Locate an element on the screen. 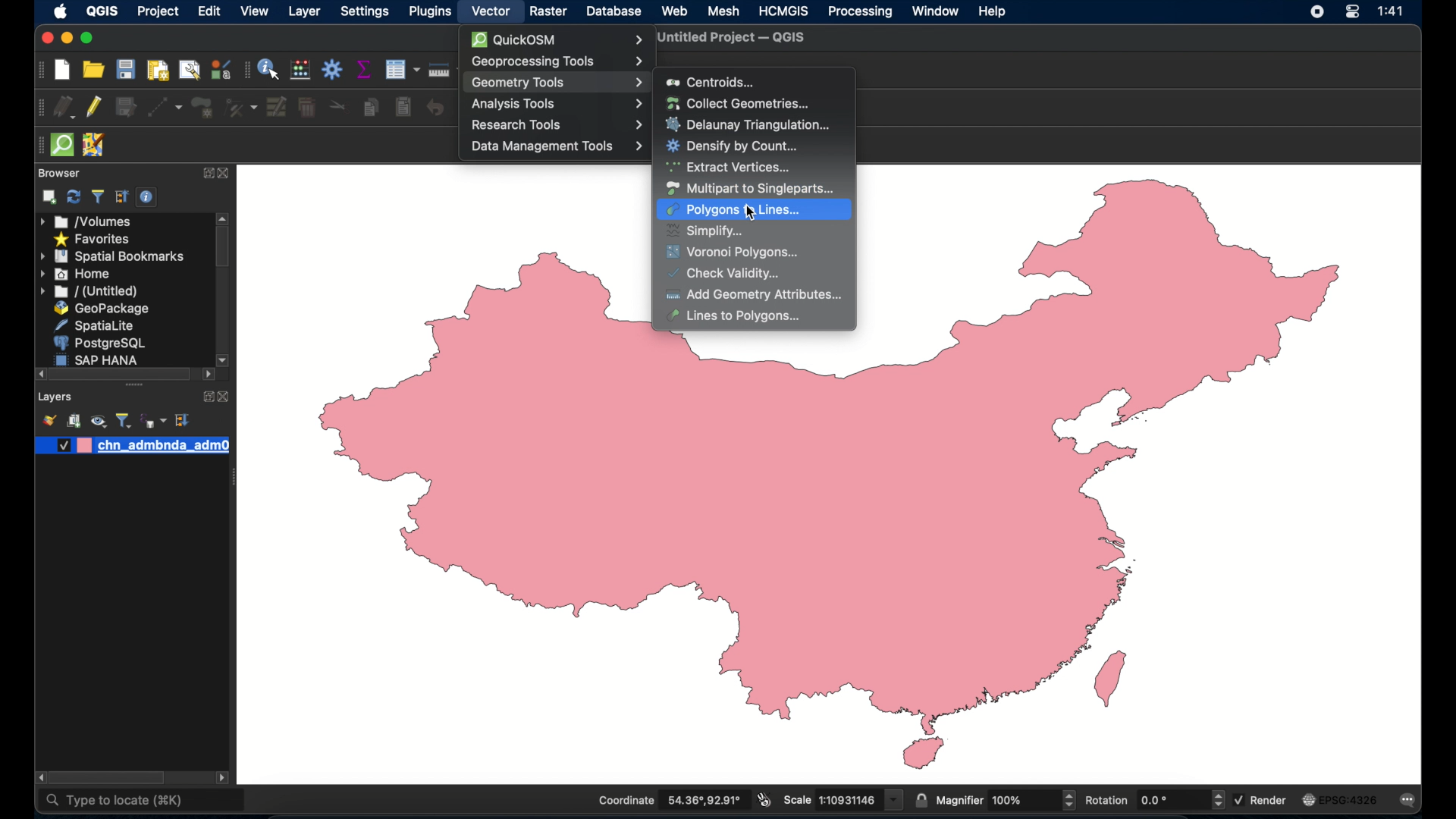 The image size is (1456, 819). voronoi polygons is located at coordinates (735, 253).